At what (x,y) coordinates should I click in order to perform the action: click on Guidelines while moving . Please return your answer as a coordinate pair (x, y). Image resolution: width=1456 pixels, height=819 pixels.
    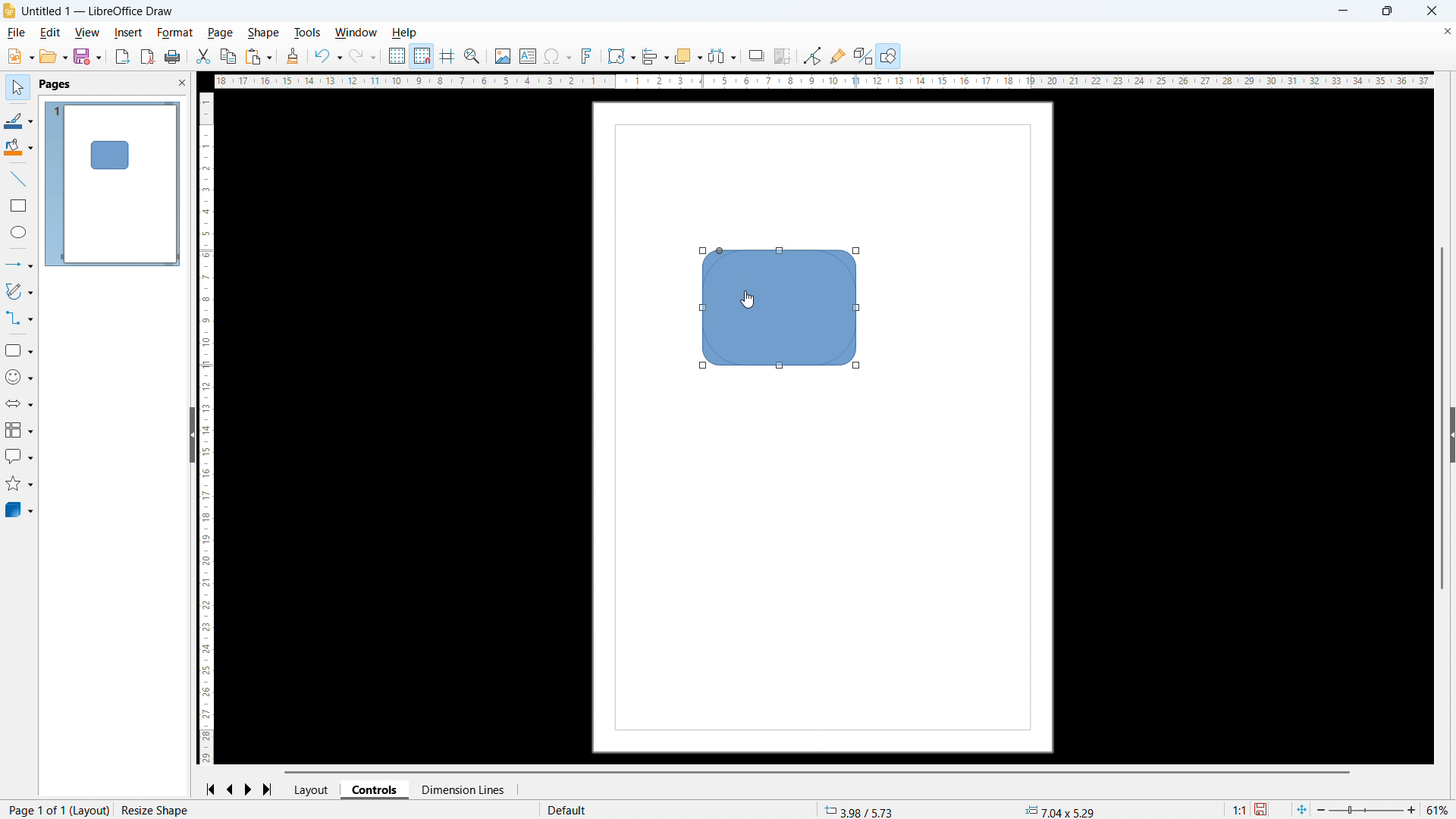
    Looking at the image, I should click on (447, 57).